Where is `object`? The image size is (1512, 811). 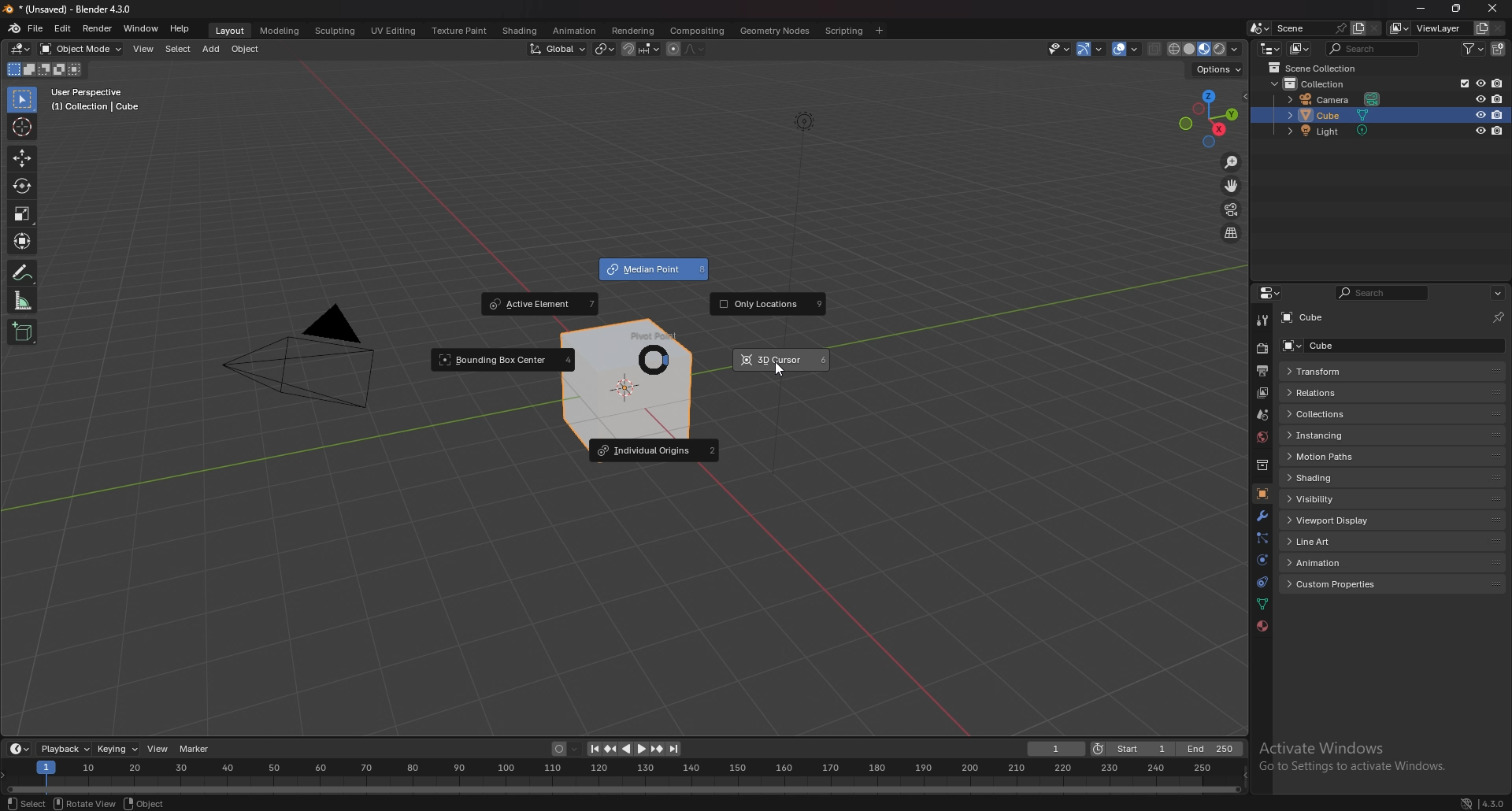 object is located at coordinates (1264, 492).